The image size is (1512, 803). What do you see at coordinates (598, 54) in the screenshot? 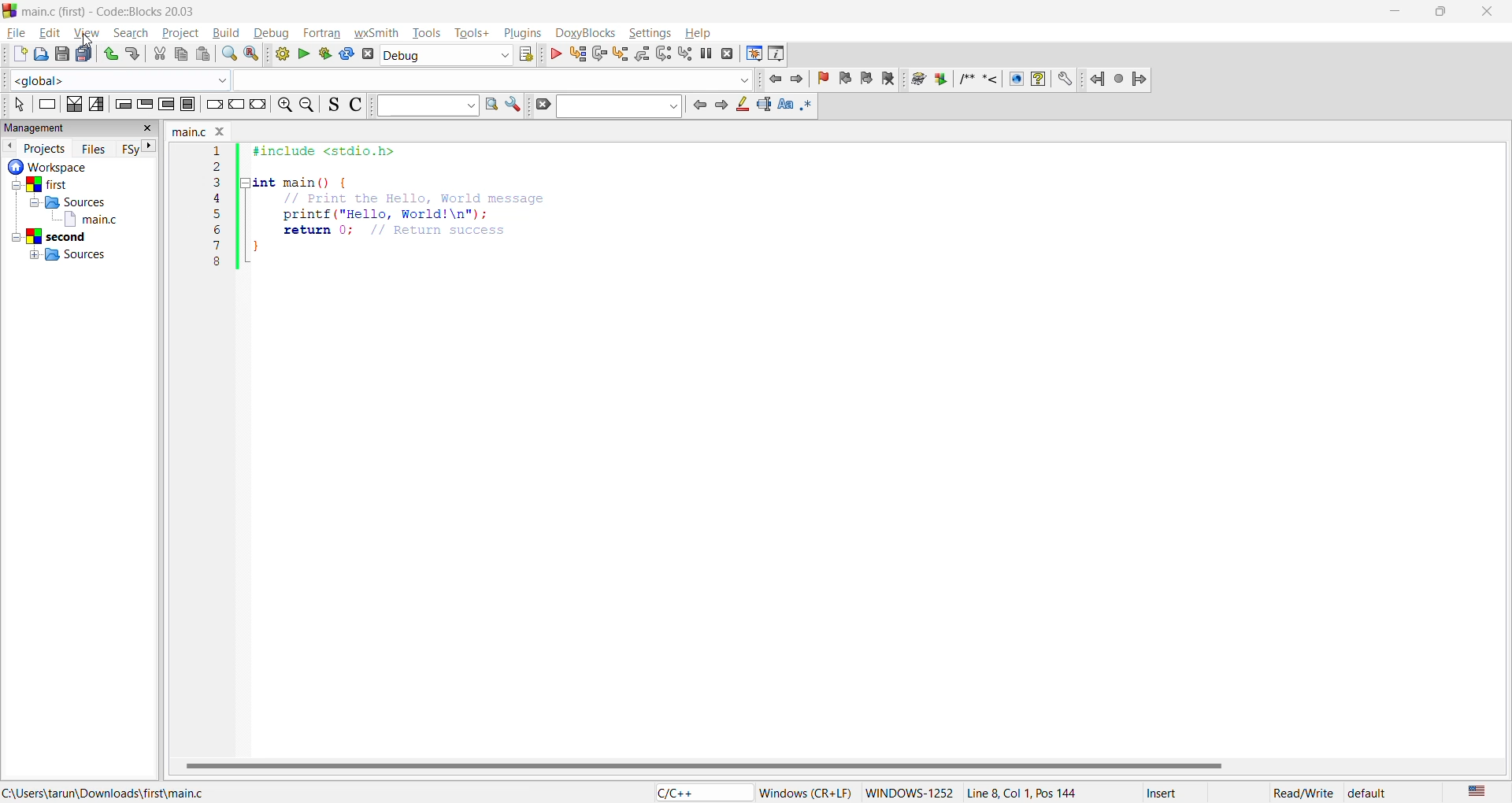
I see `next line` at bounding box center [598, 54].